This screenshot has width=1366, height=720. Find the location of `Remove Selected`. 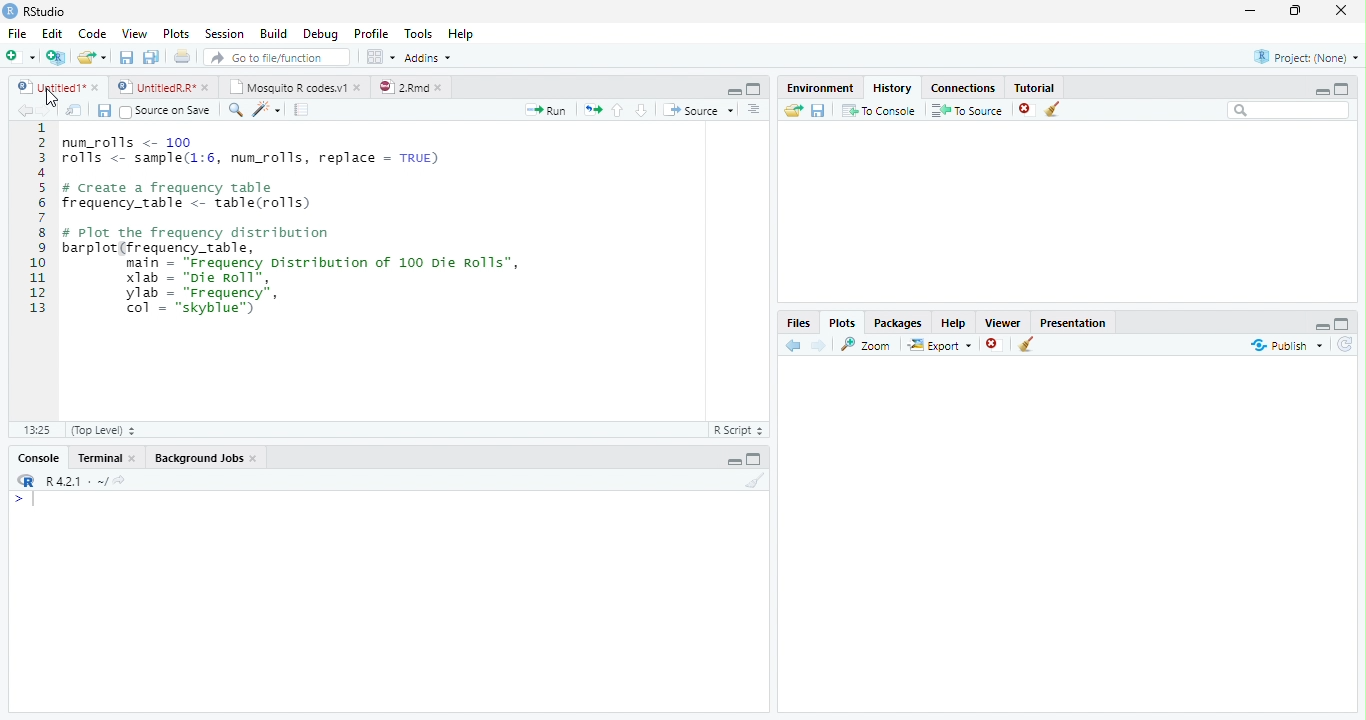

Remove Selected is located at coordinates (995, 346).